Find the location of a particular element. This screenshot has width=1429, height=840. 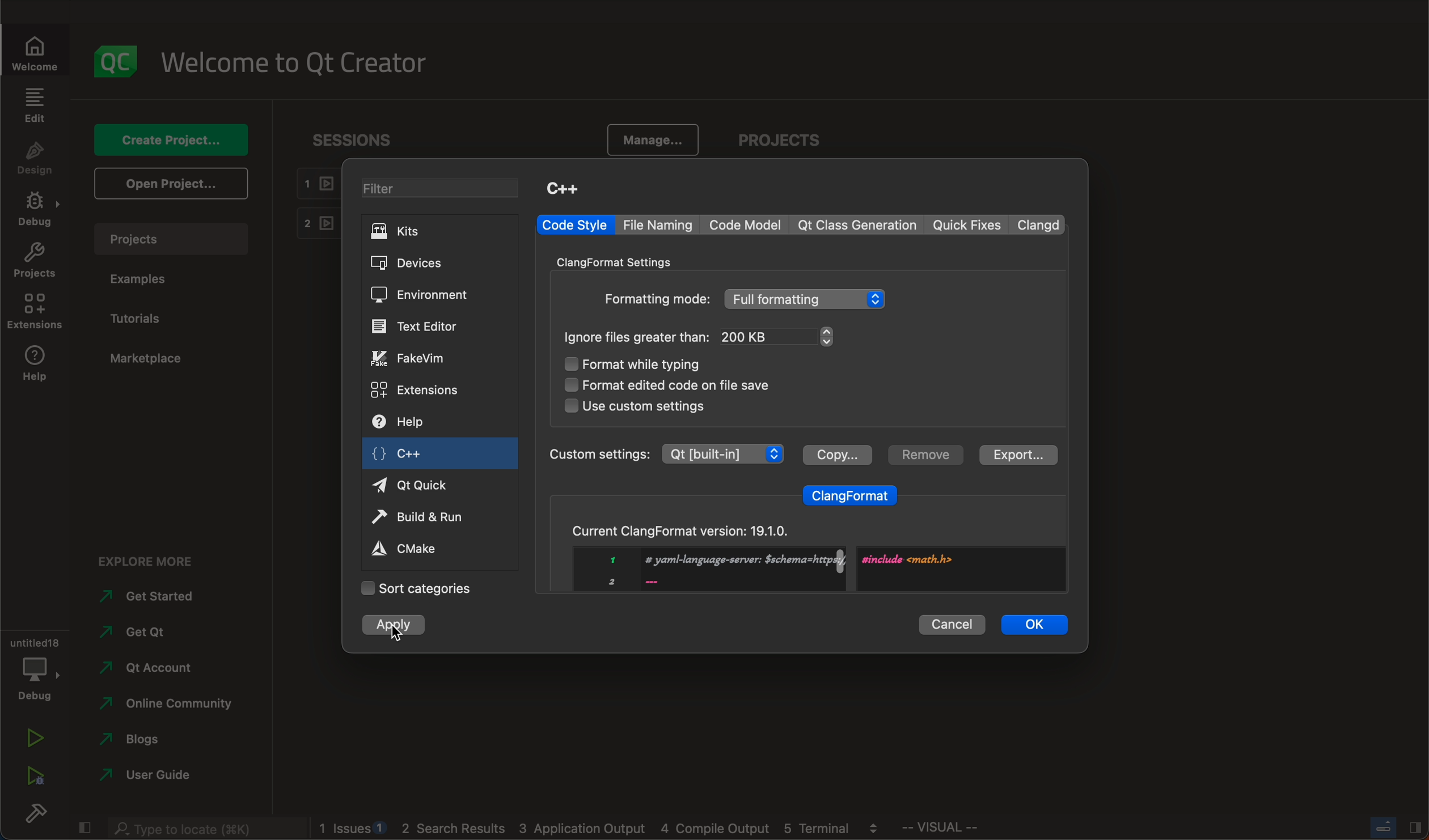

projects is located at coordinates (785, 142).